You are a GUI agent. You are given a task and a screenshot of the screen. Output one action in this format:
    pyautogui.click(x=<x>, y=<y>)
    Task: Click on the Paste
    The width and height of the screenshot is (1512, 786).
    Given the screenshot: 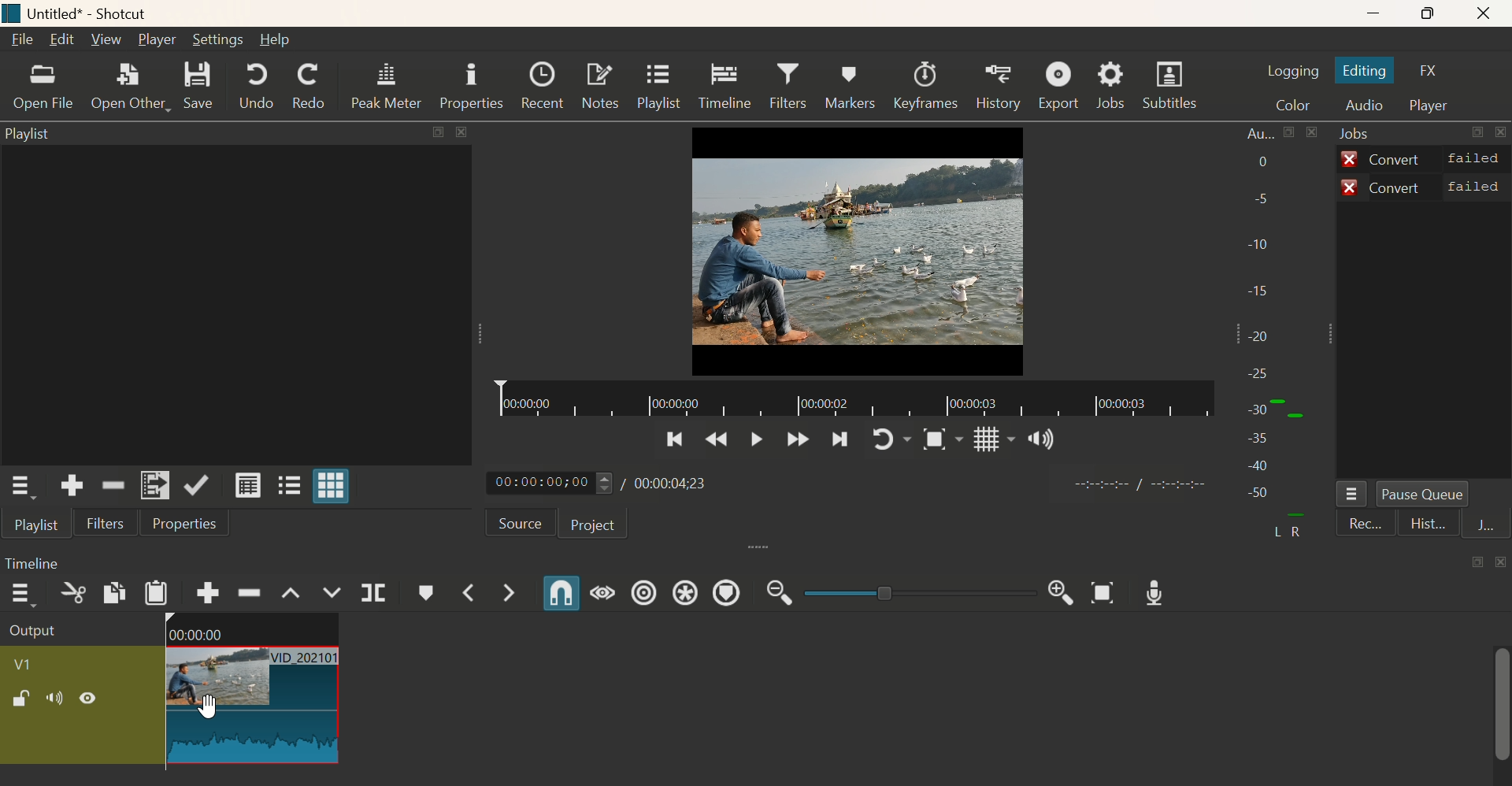 What is the action you would take?
    pyautogui.click(x=159, y=595)
    